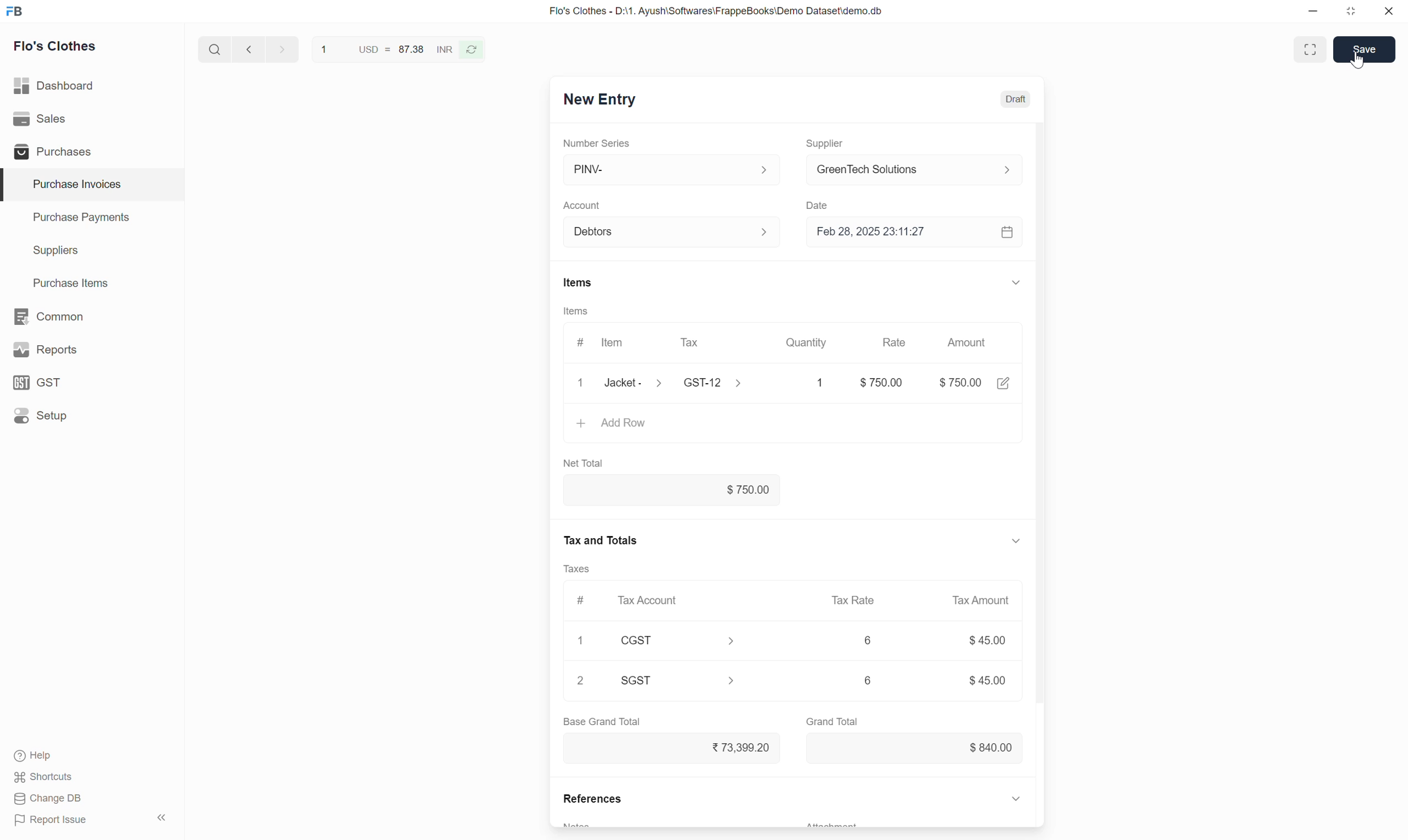  What do you see at coordinates (674, 169) in the screenshot?
I see `PINV-` at bounding box center [674, 169].